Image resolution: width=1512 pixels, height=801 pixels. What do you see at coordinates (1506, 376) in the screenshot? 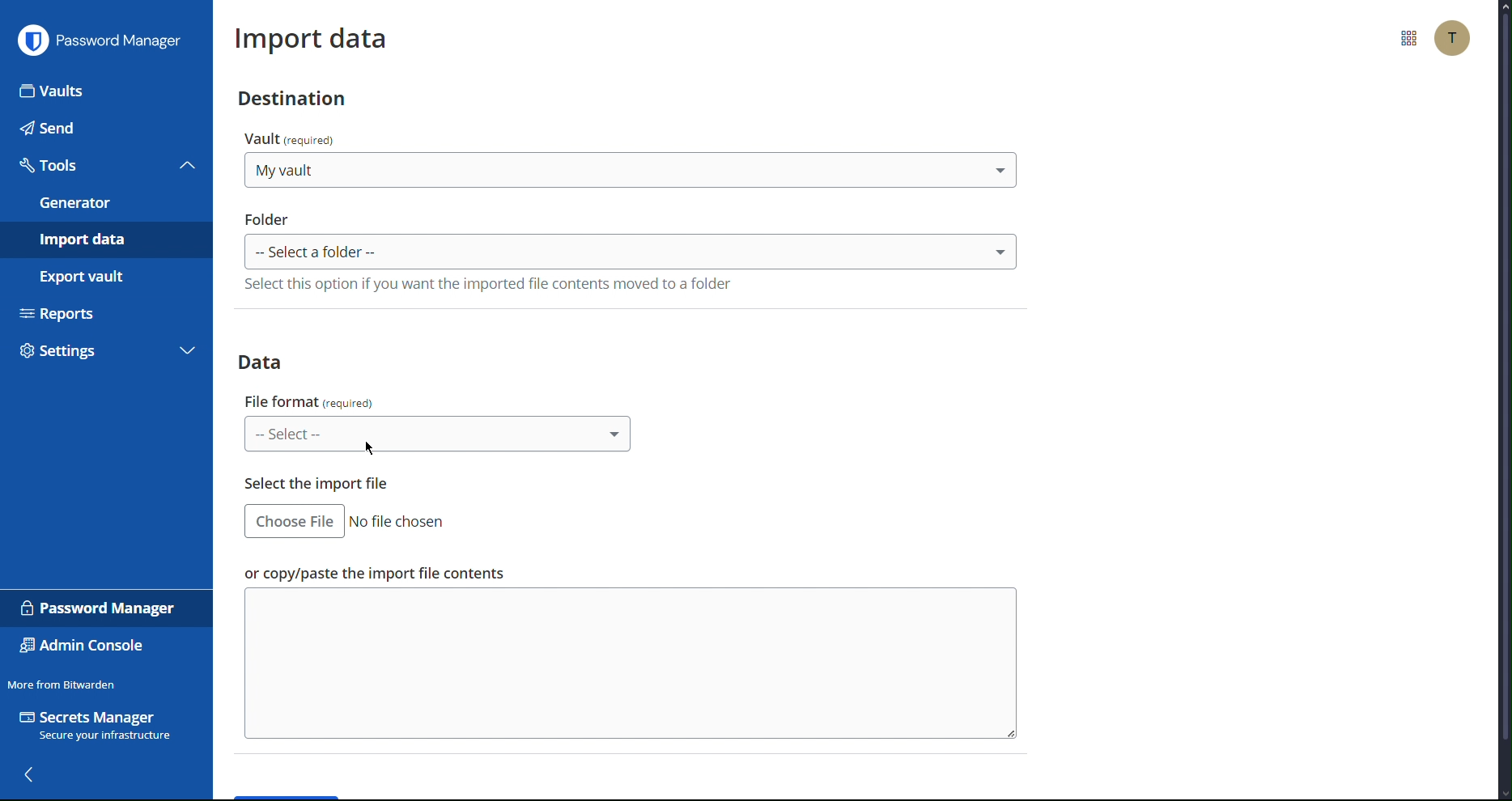
I see `scrollbar` at bounding box center [1506, 376].